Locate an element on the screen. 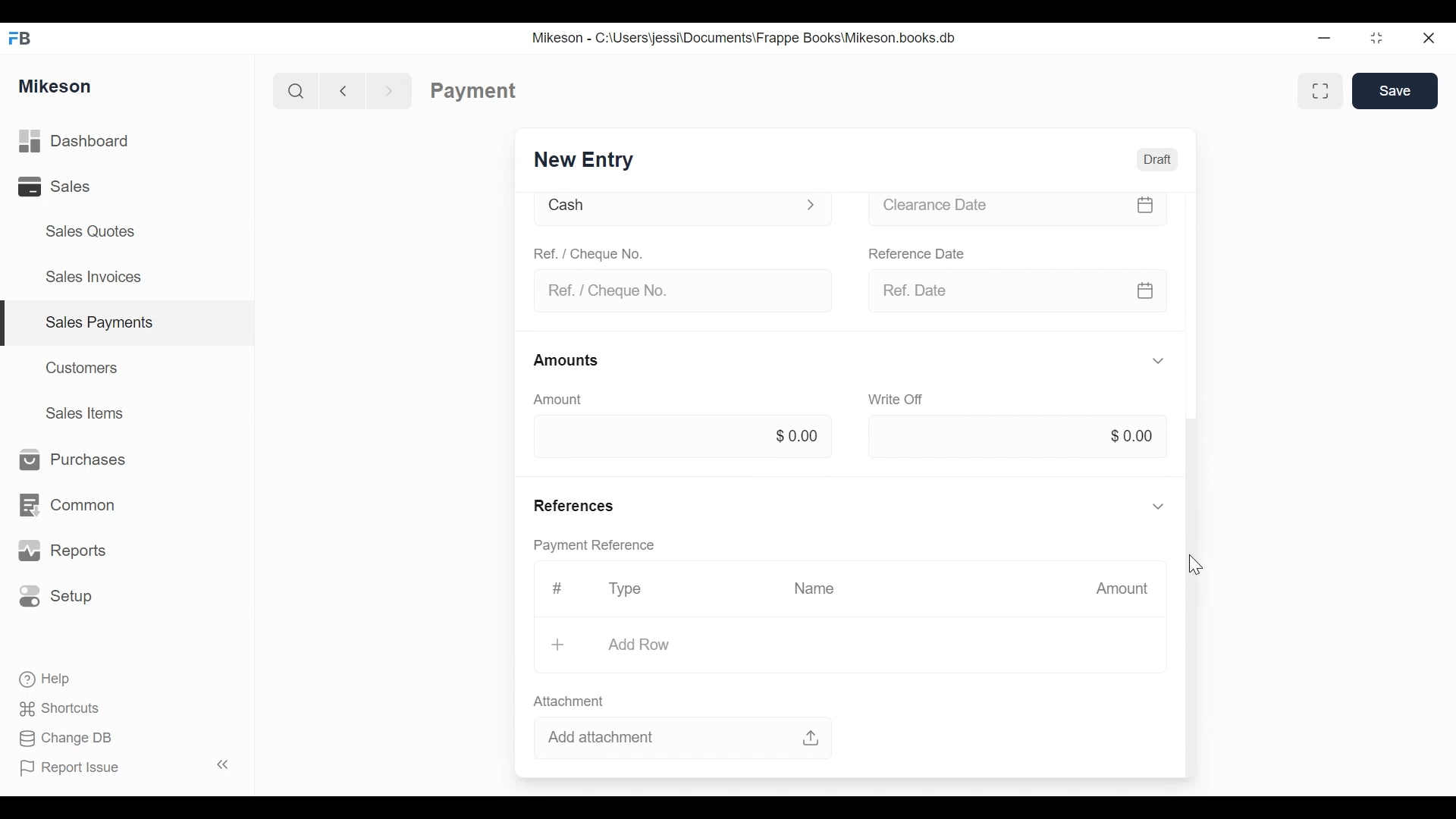 Image resolution: width=1456 pixels, height=819 pixels. Setup is located at coordinates (61, 597).